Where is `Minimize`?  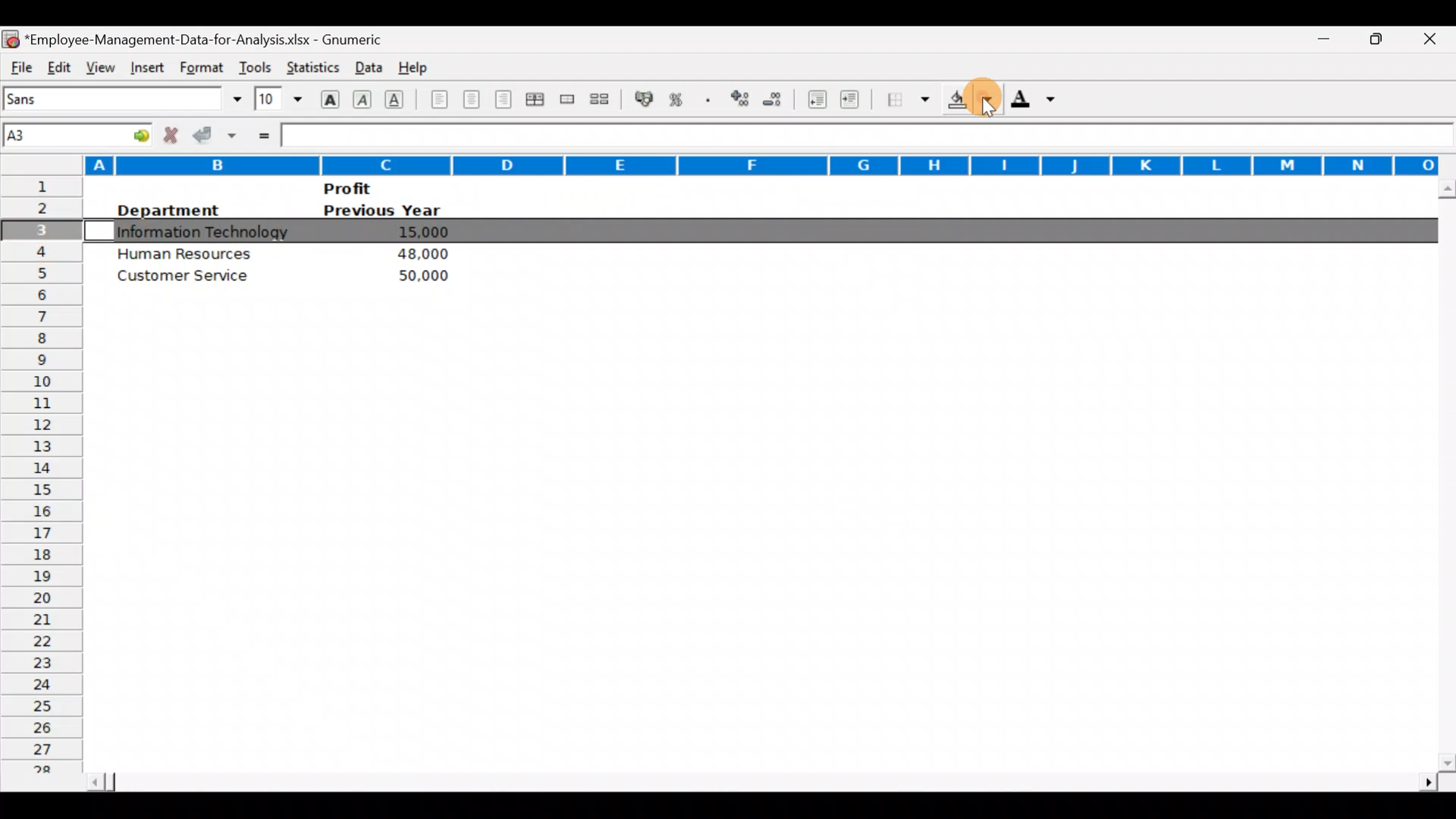 Minimize is located at coordinates (1315, 39).